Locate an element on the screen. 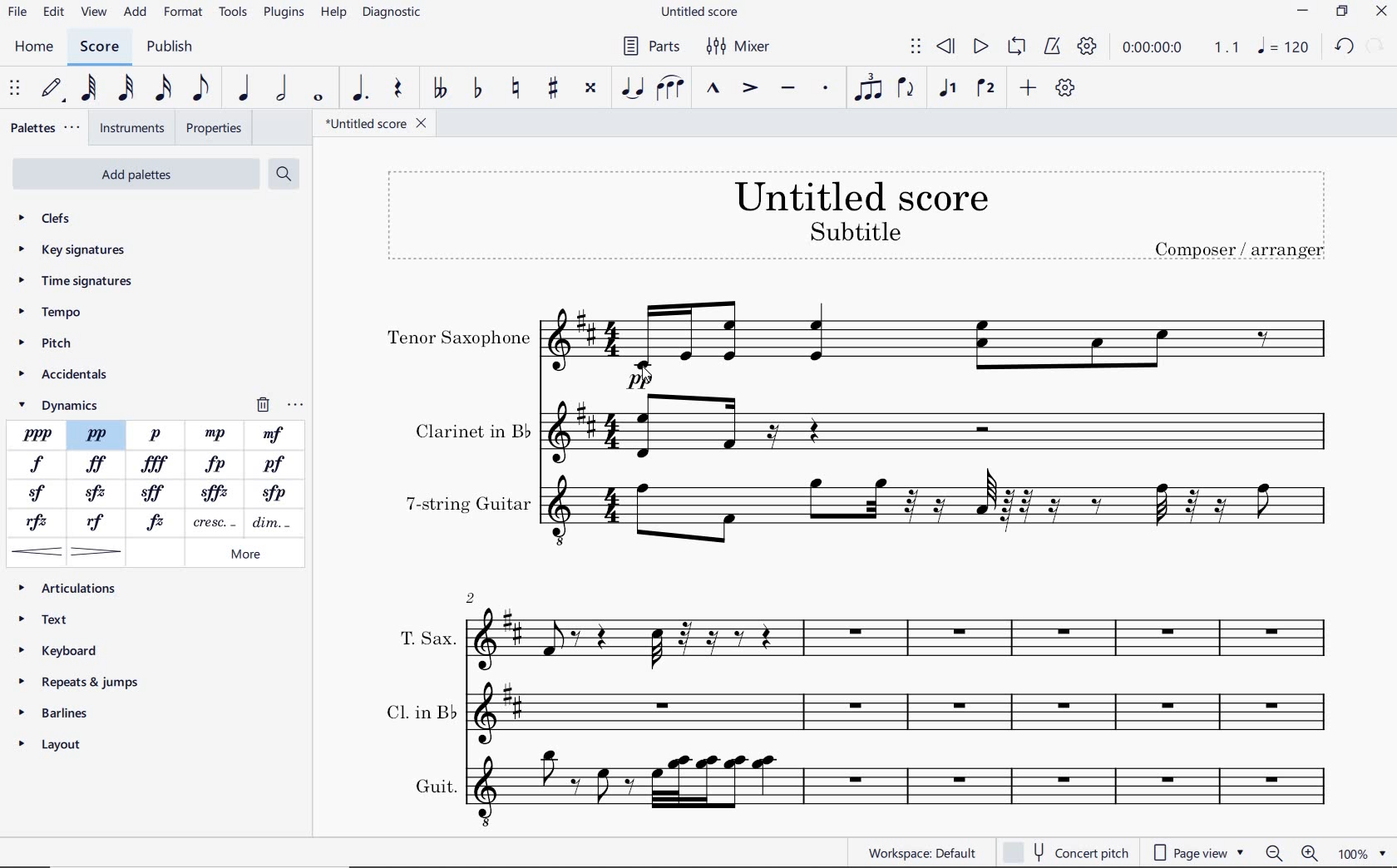 The width and height of the screenshot is (1397, 868). FFF(FORTISSISSIMO) is located at coordinates (157, 465).